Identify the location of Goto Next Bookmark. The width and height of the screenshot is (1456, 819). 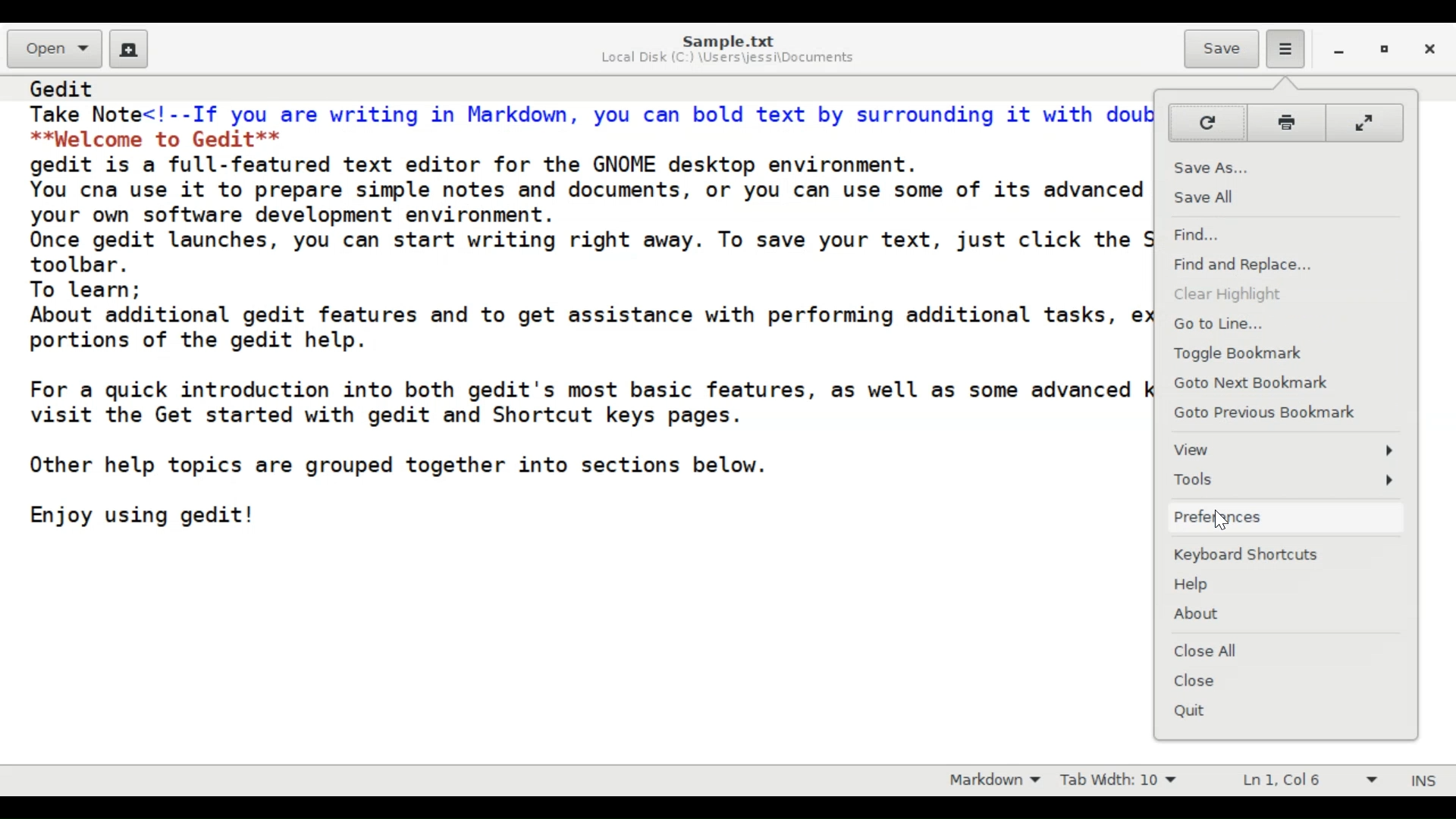
(1290, 382).